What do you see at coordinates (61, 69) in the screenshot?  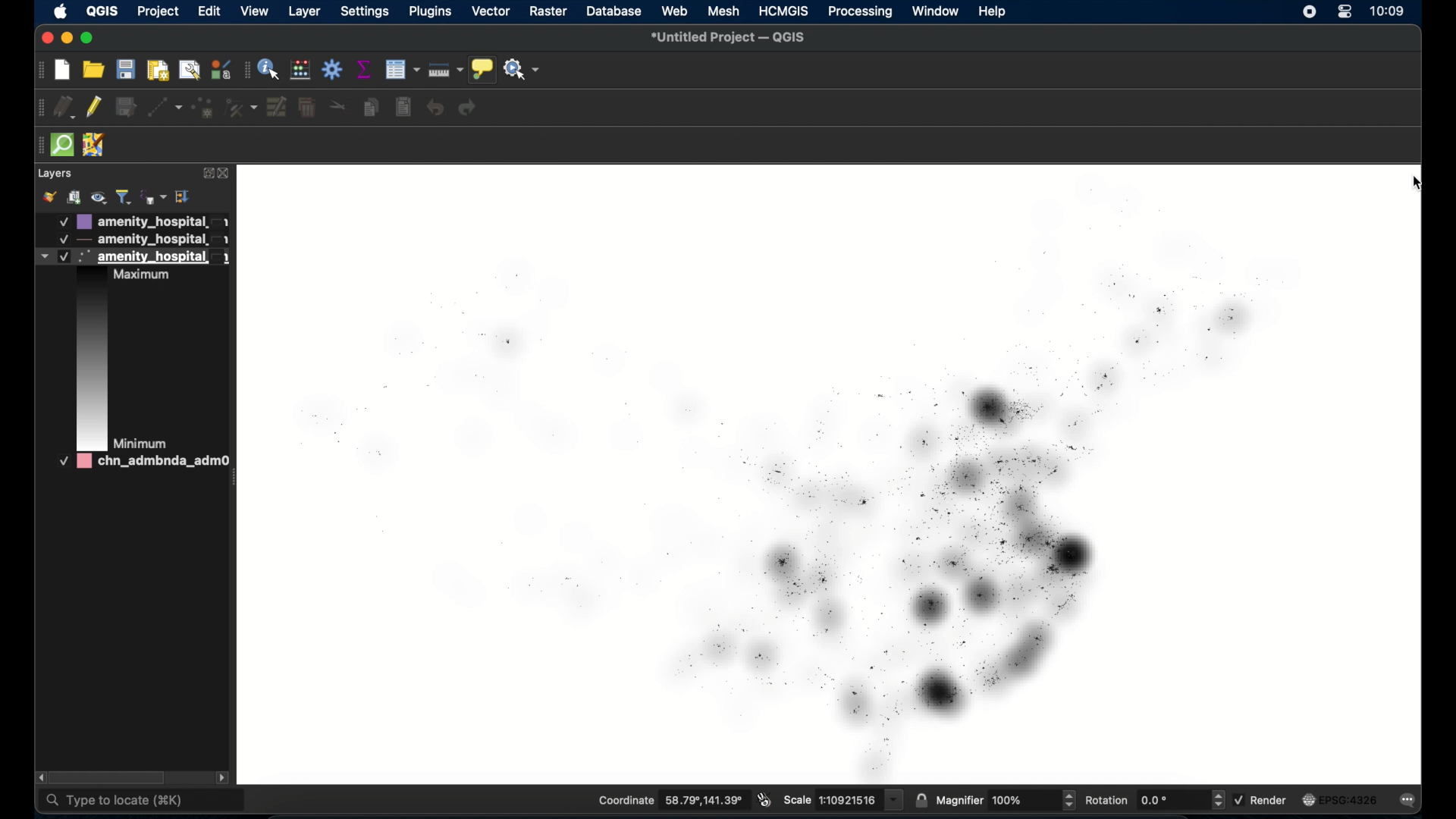 I see `create new project` at bounding box center [61, 69].